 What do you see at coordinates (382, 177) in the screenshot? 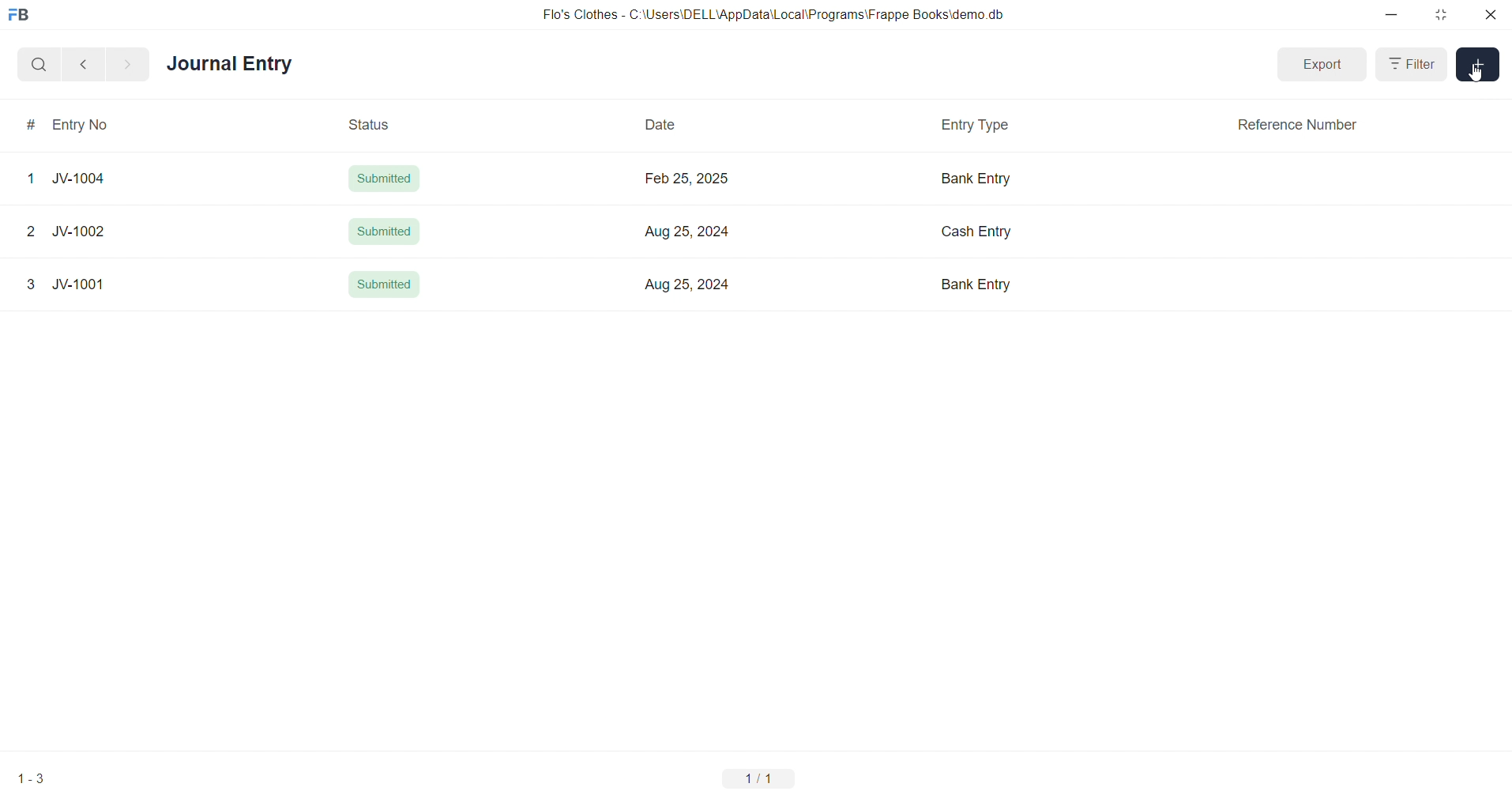
I see `Submitted` at bounding box center [382, 177].